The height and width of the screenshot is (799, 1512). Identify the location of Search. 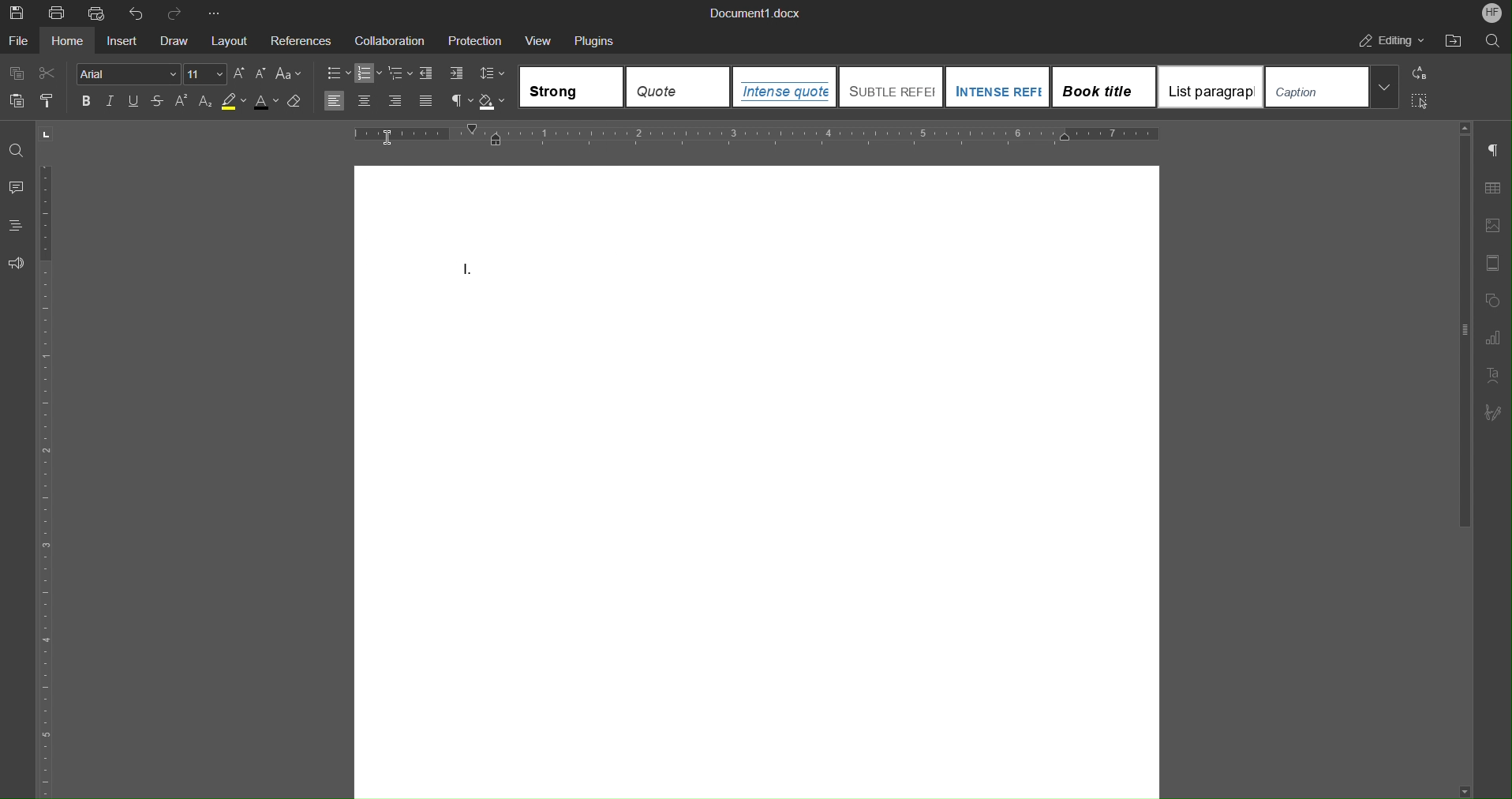
(1494, 41).